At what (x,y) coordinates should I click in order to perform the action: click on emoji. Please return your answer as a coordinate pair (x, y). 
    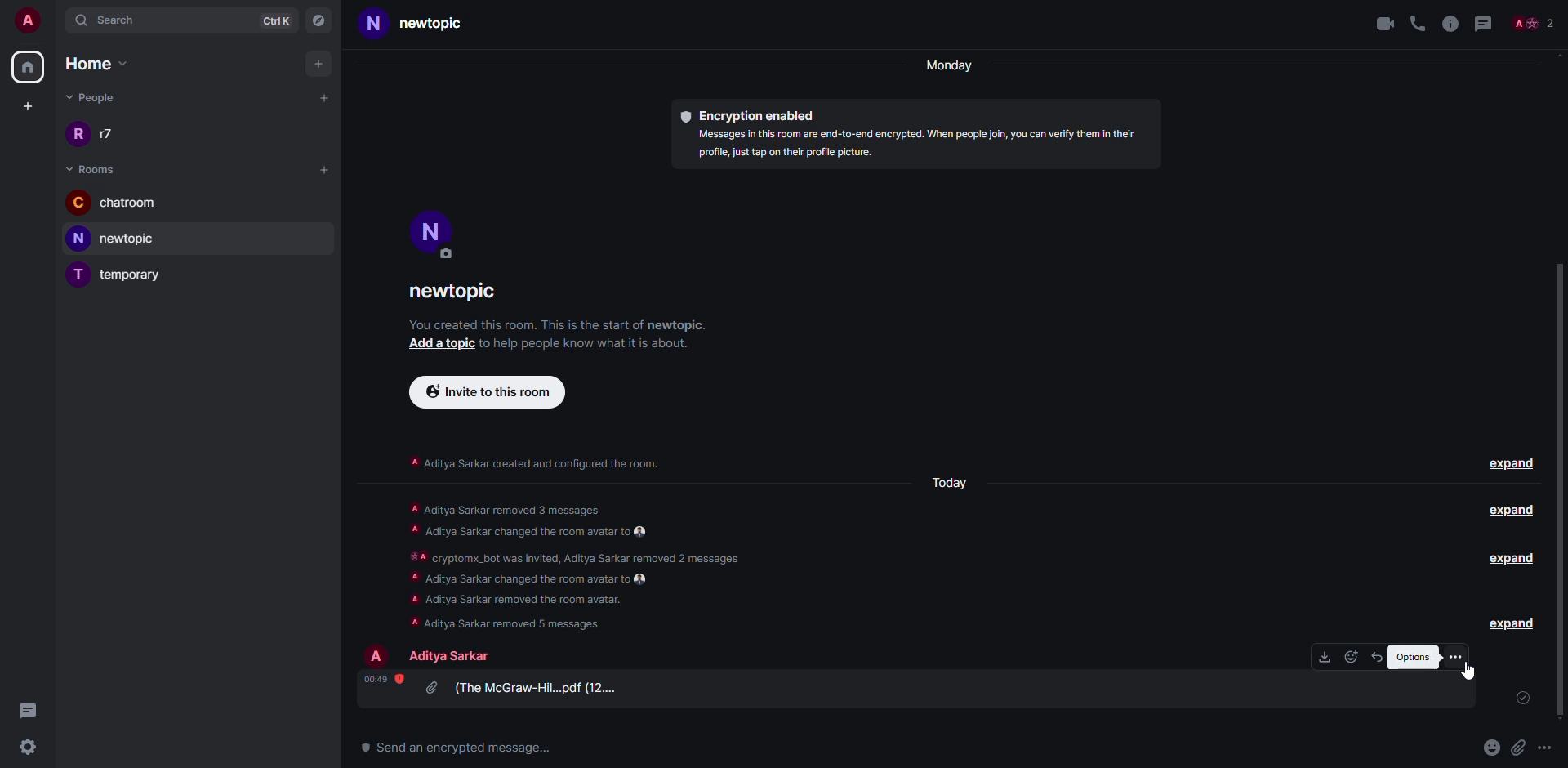
    Looking at the image, I should click on (1352, 657).